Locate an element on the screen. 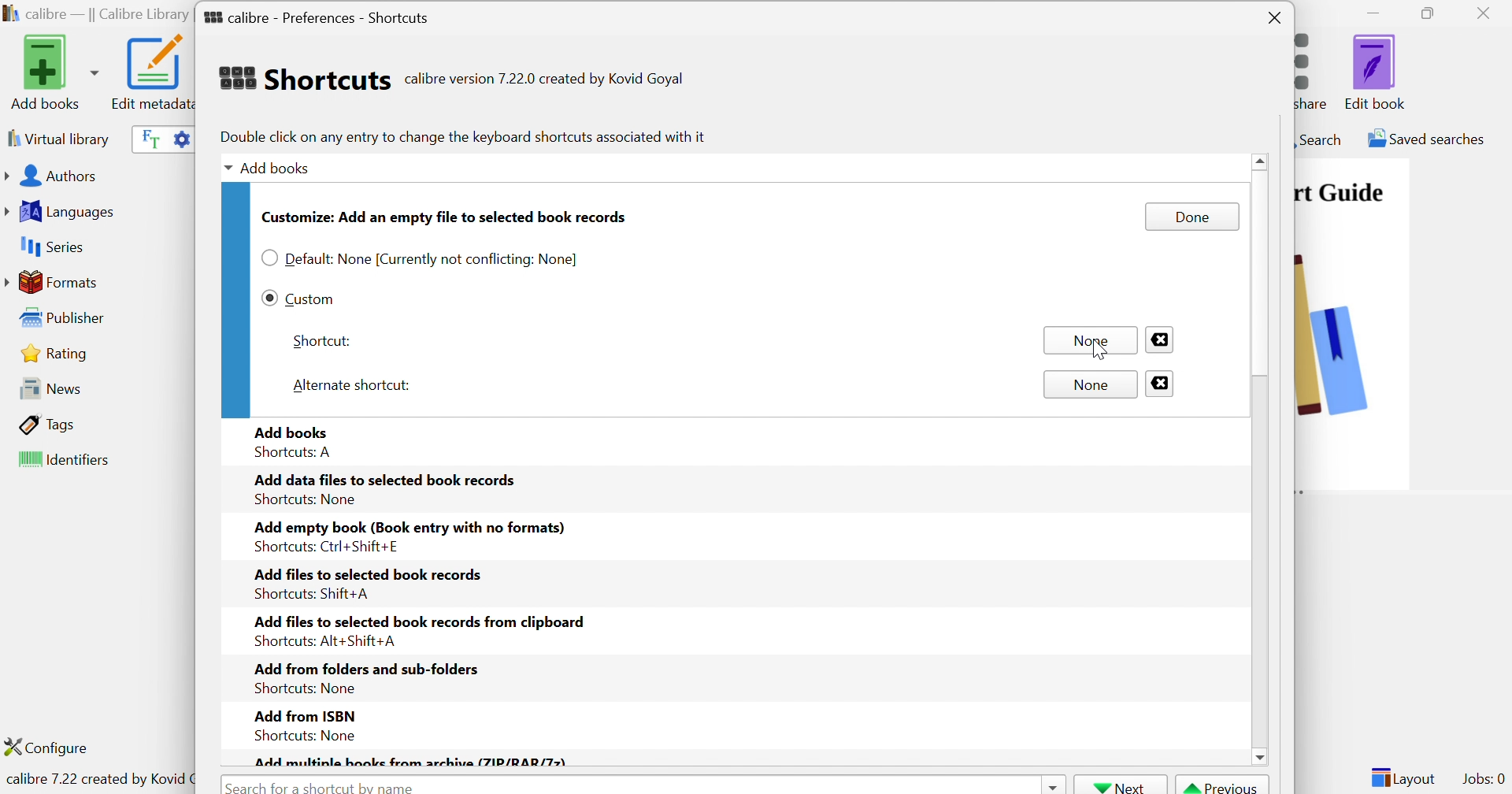  Shortcuts: None is located at coordinates (302, 689).